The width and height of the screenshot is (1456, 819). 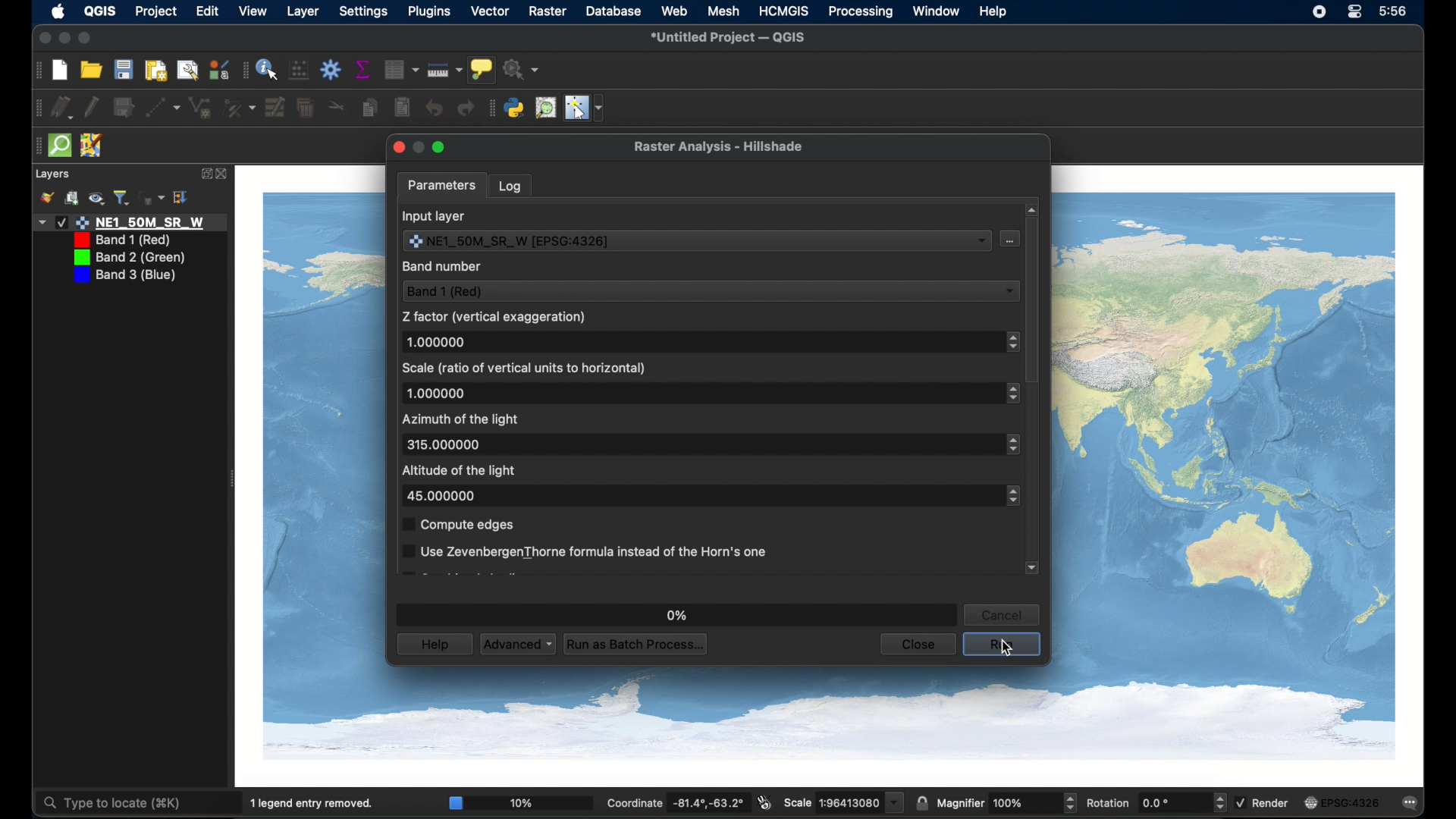 I want to click on manage map theme, so click(x=97, y=199).